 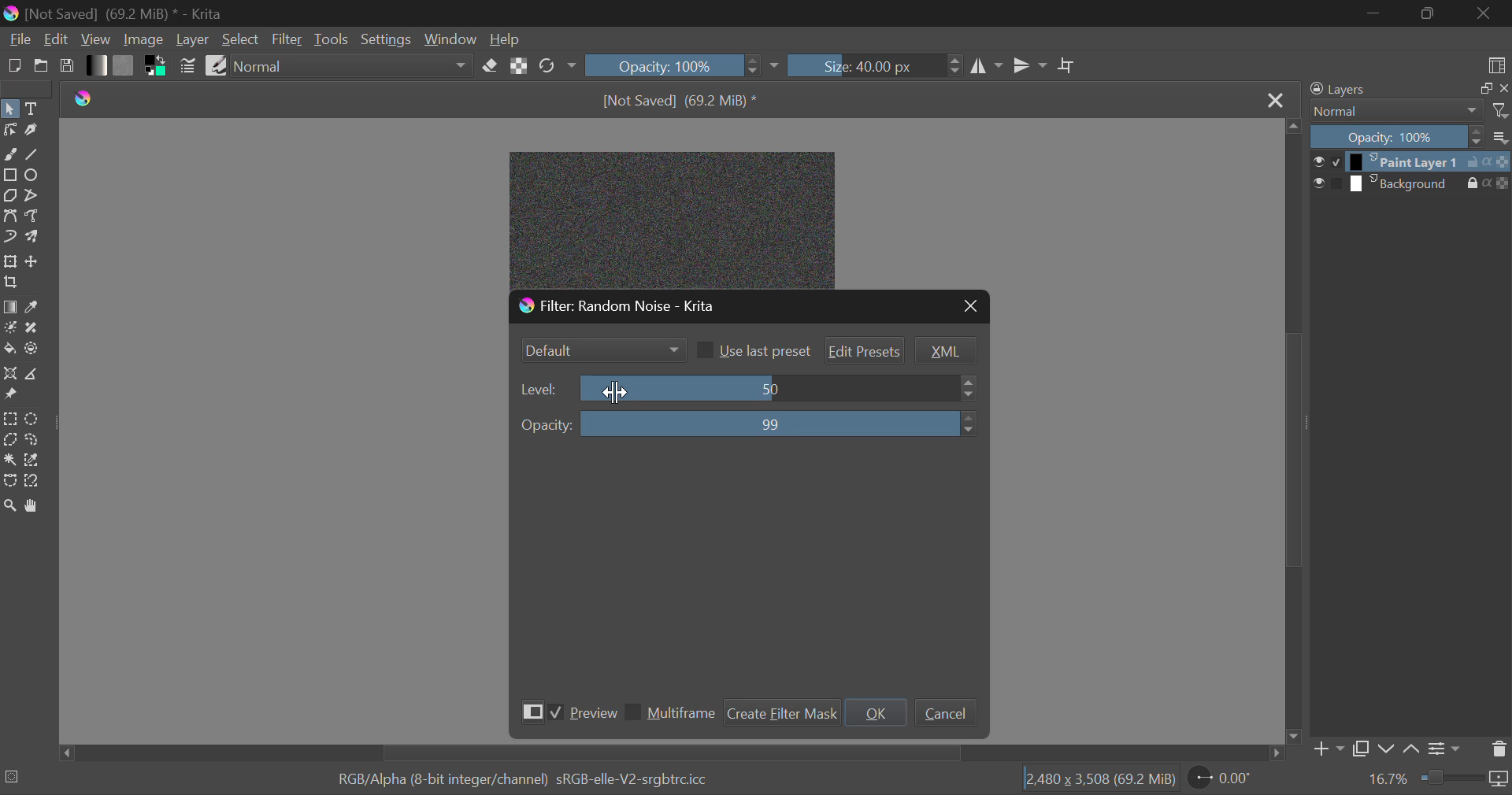 I want to click on Polyline, so click(x=34, y=195).